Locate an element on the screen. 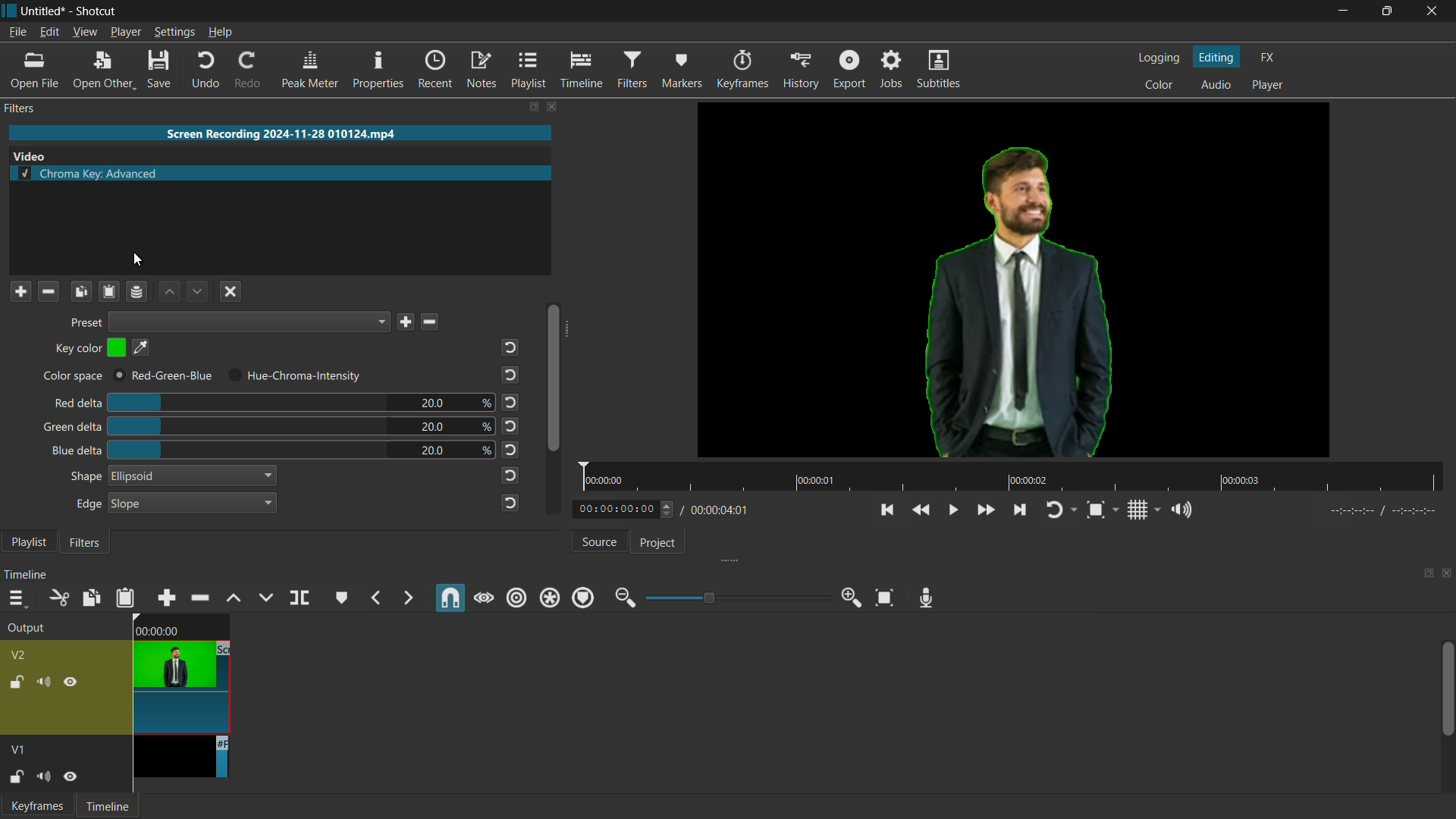 This screenshot has width=1456, height=819. notes is located at coordinates (481, 71).